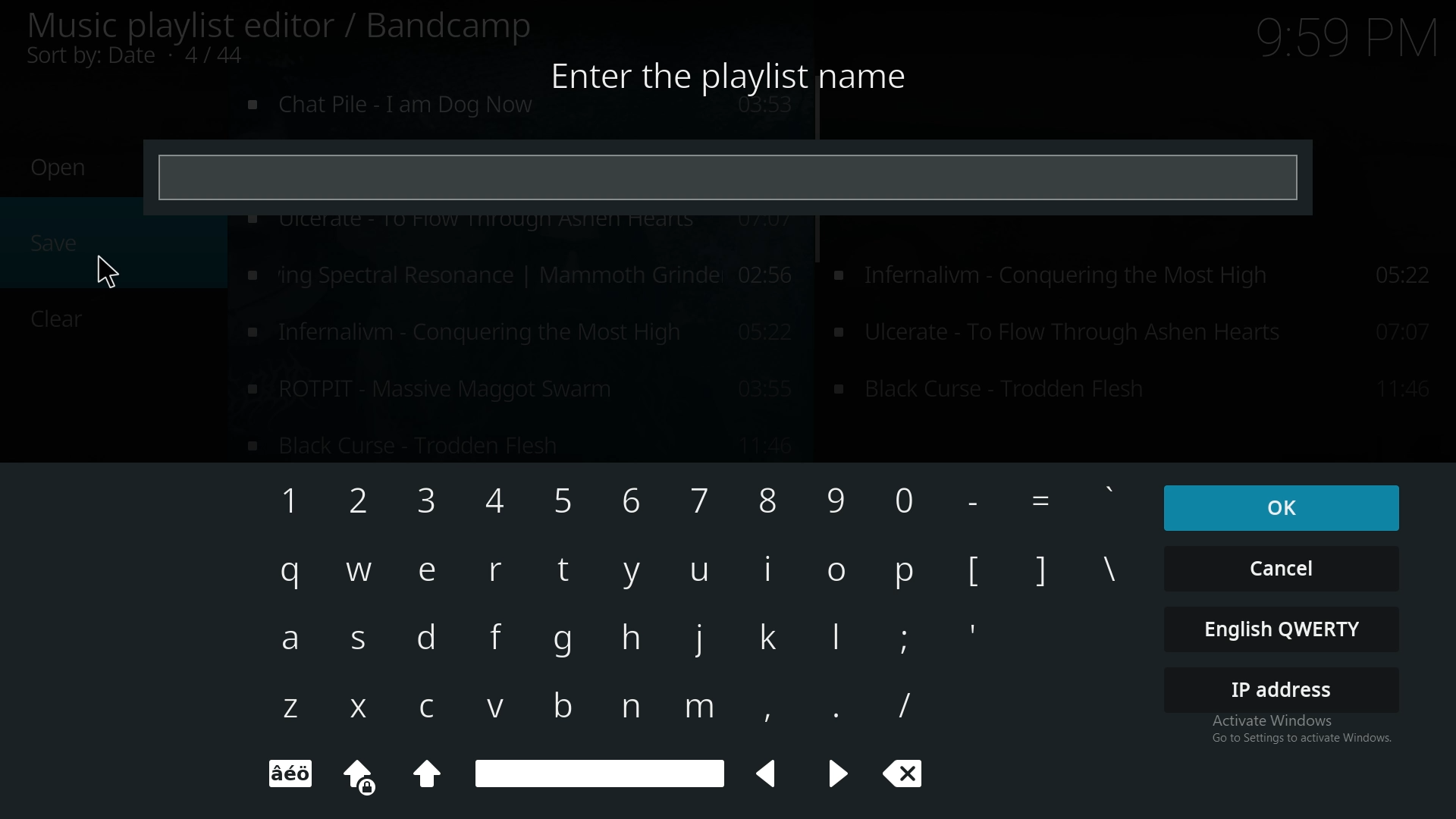 Image resolution: width=1456 pixels, height=819 pixels. Describe the element at coordinates (977, 629) in the screenshot. I see `keyboard input` at that location.